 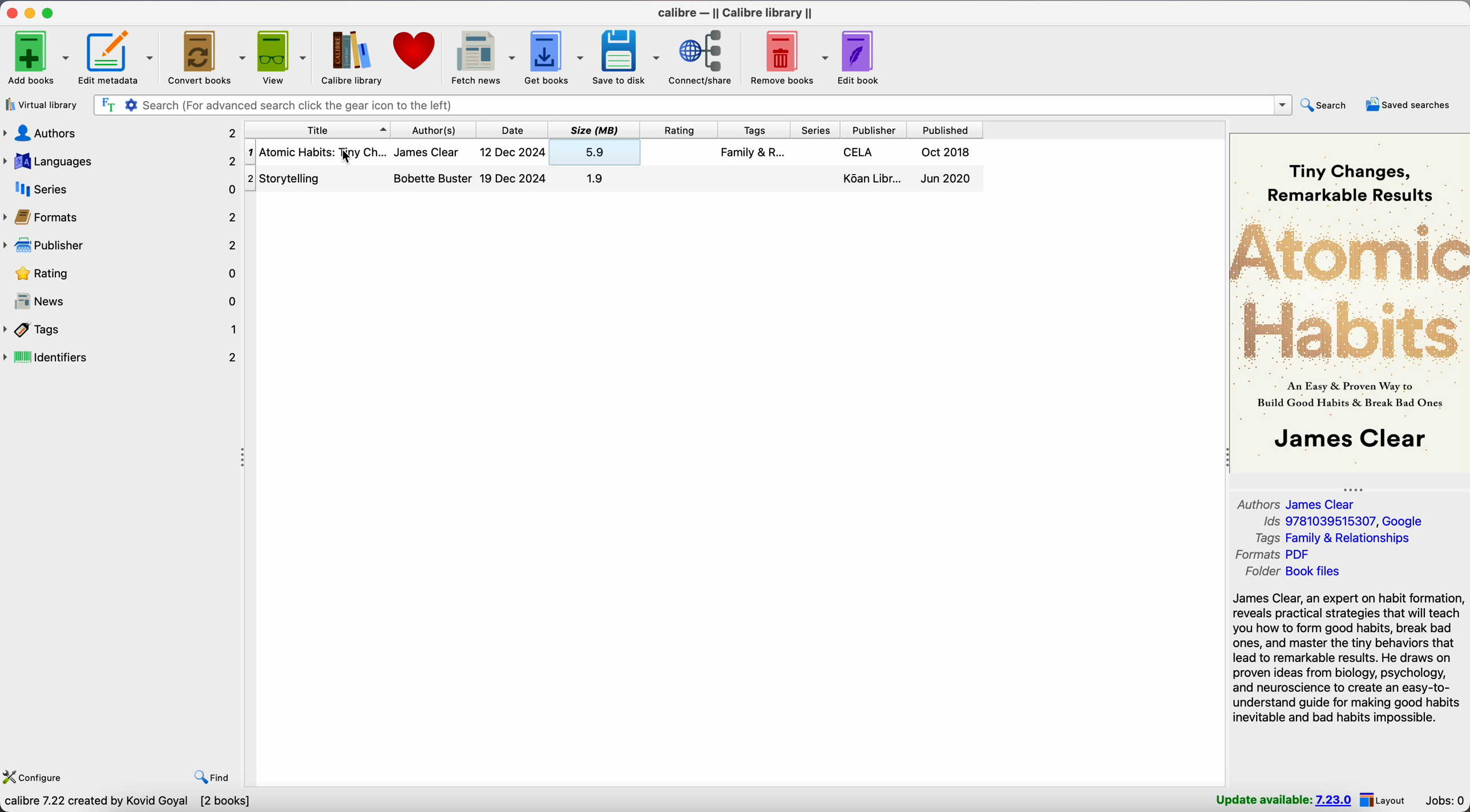 What do you see at coordinates (555, 57) in the screenshot?
I see `get books` at bounding box center [555, 57].